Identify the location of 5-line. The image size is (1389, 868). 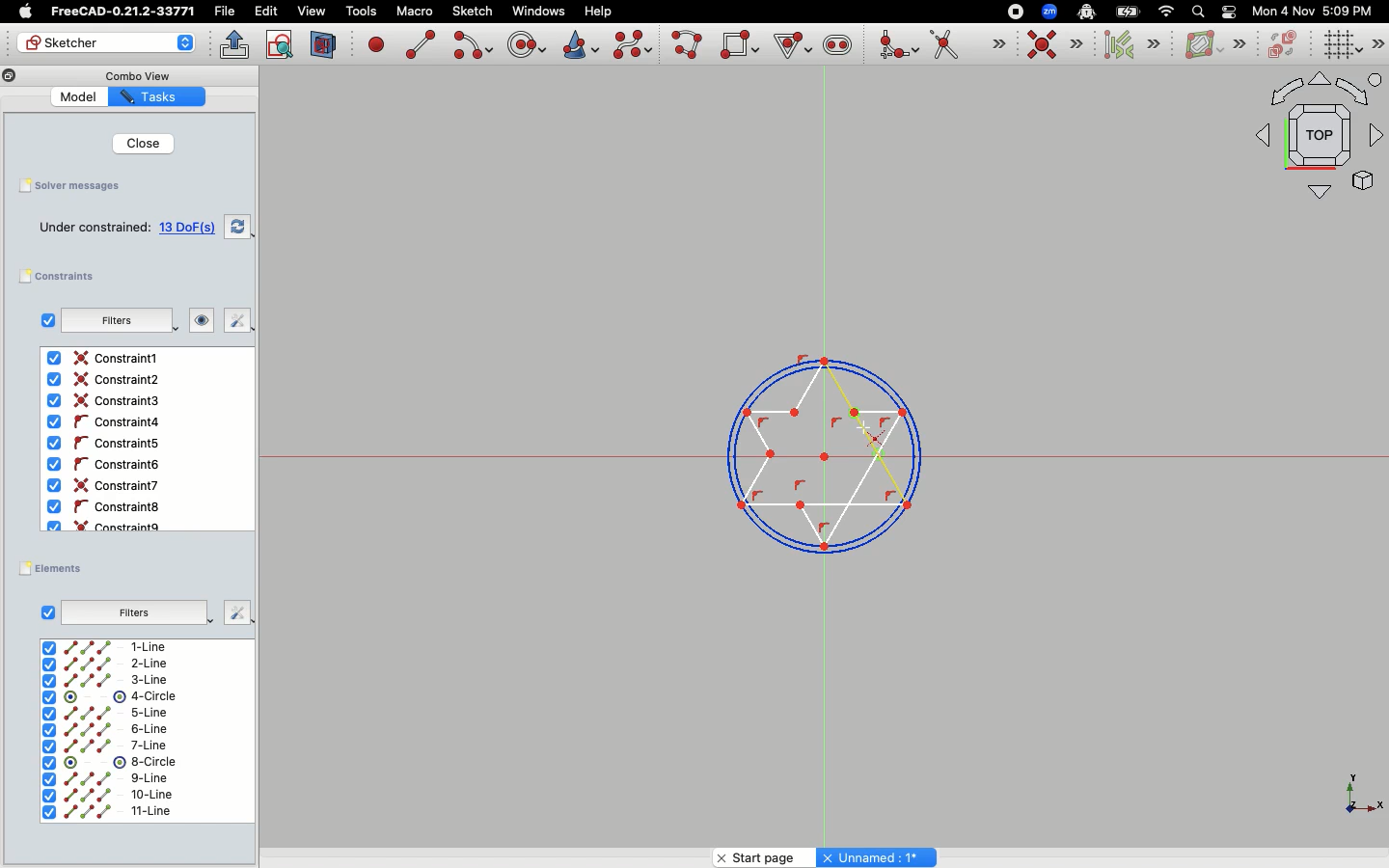
(107, 713).